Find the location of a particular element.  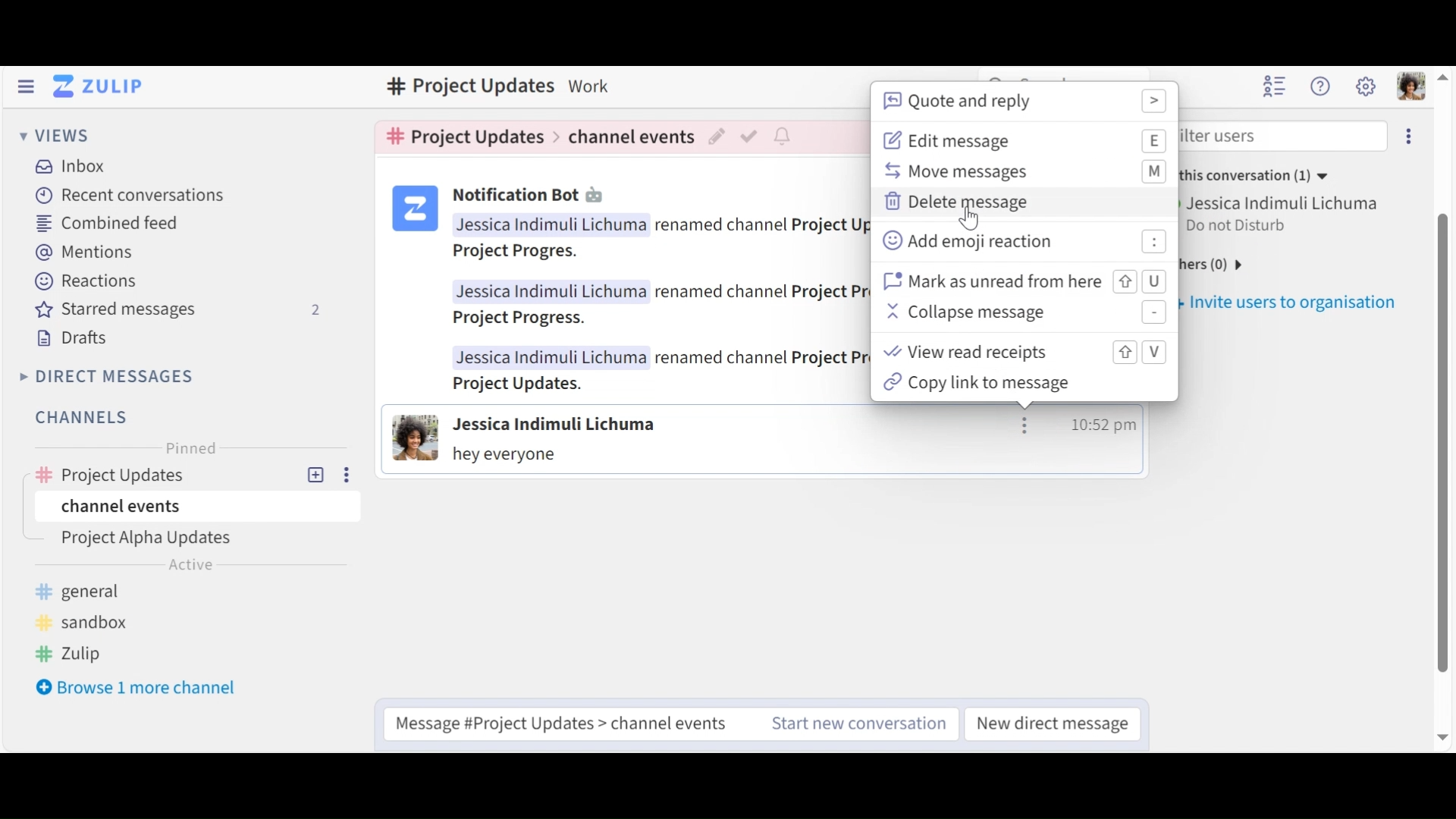

Views is located at coordinates (58, 138).